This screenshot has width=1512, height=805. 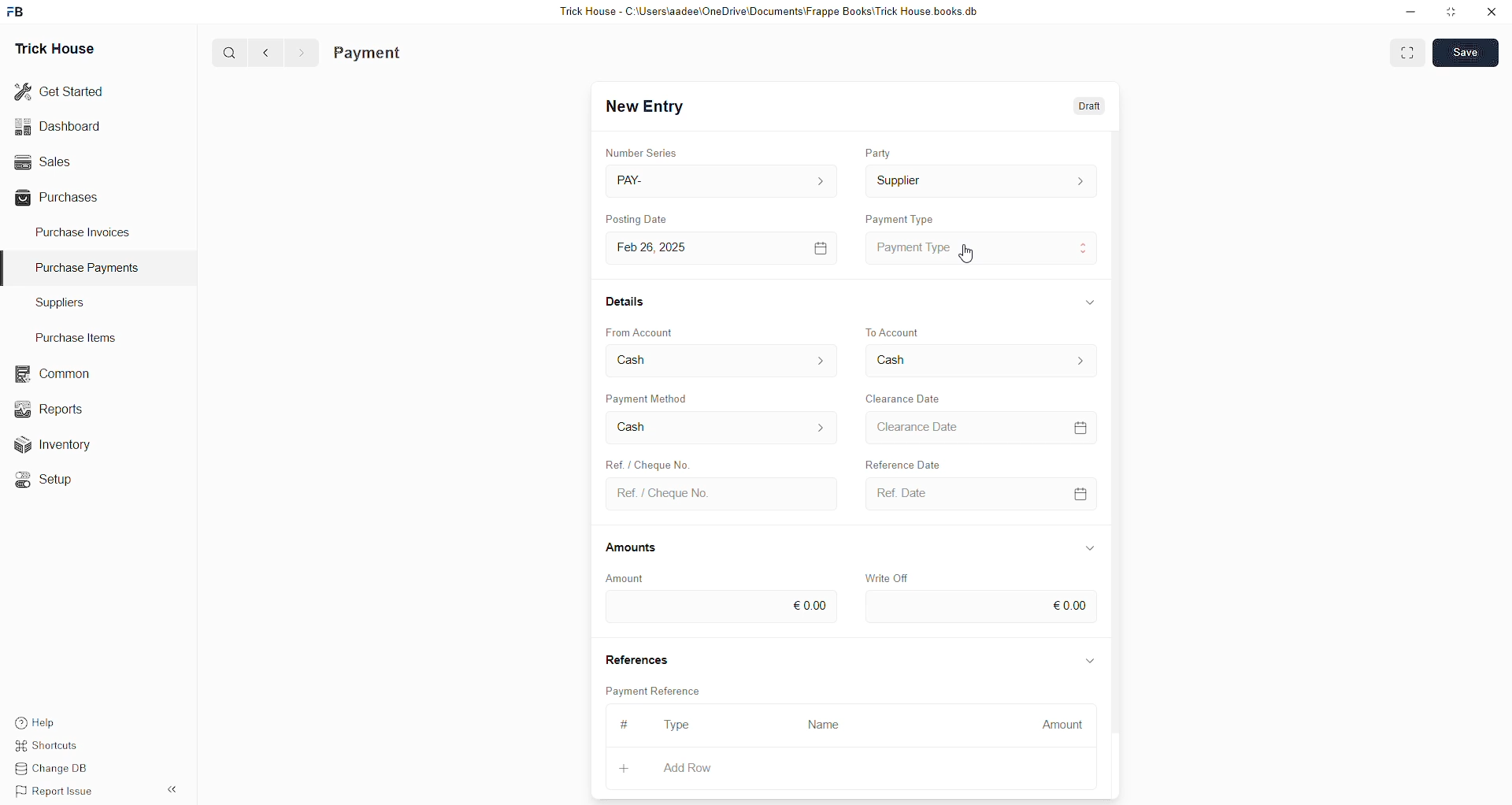 I want to click on Details, so click(x=625, y=302).